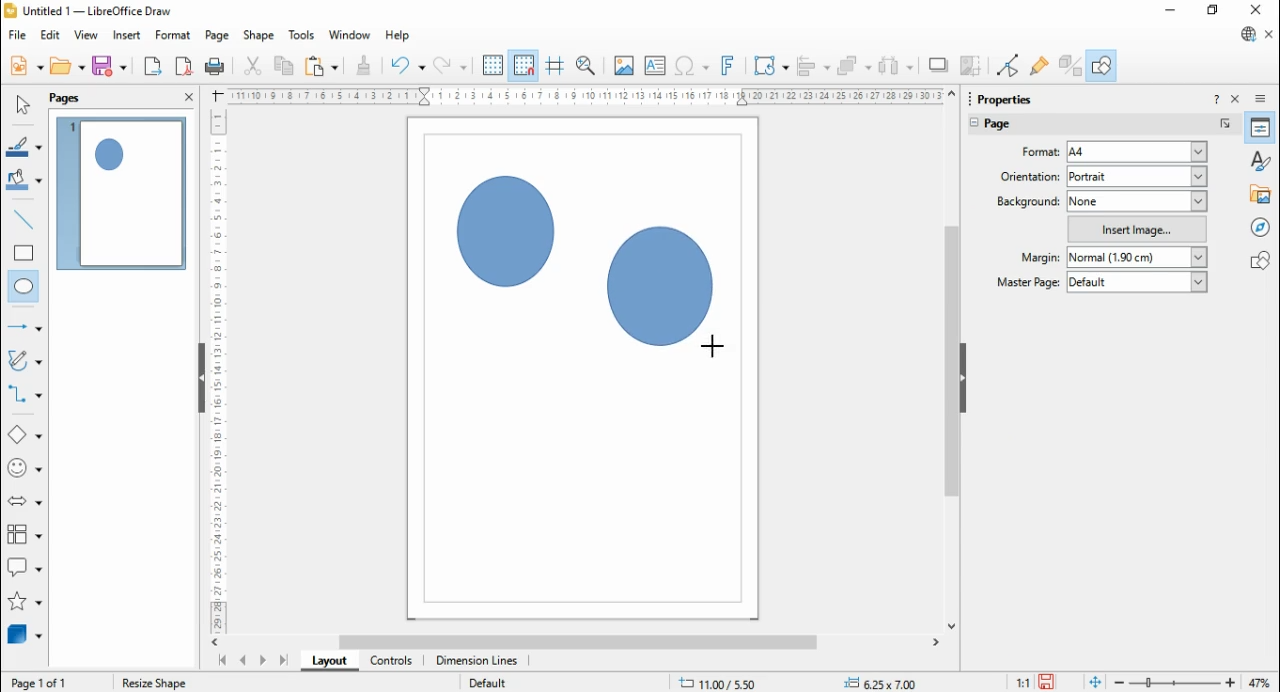 The image size is (1280, 692). What do you see at coordinates (962, 379) in the screenshot?
I see `hide` at bounding box center [962, 379].